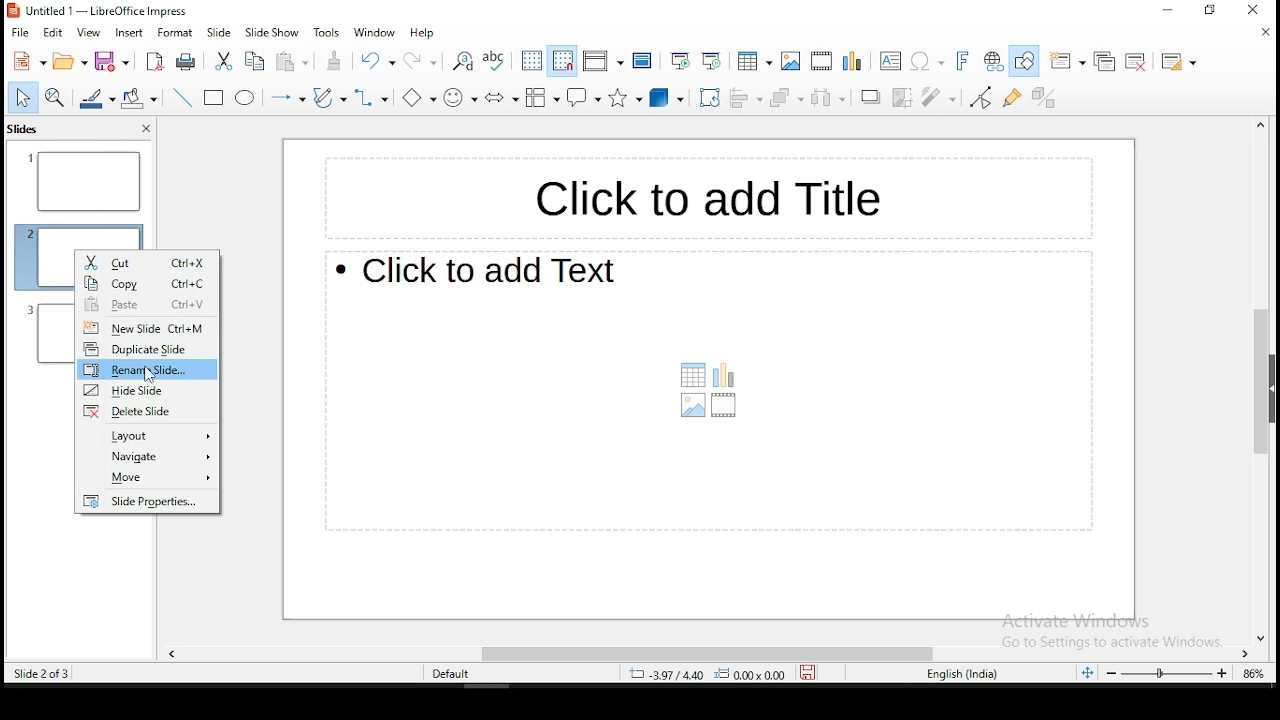 This screenshot has height=720, width=1280. What do you see at coordinates (584, 97) in the screenshot?
I see `callout shape` at bounding box center [584, 97].